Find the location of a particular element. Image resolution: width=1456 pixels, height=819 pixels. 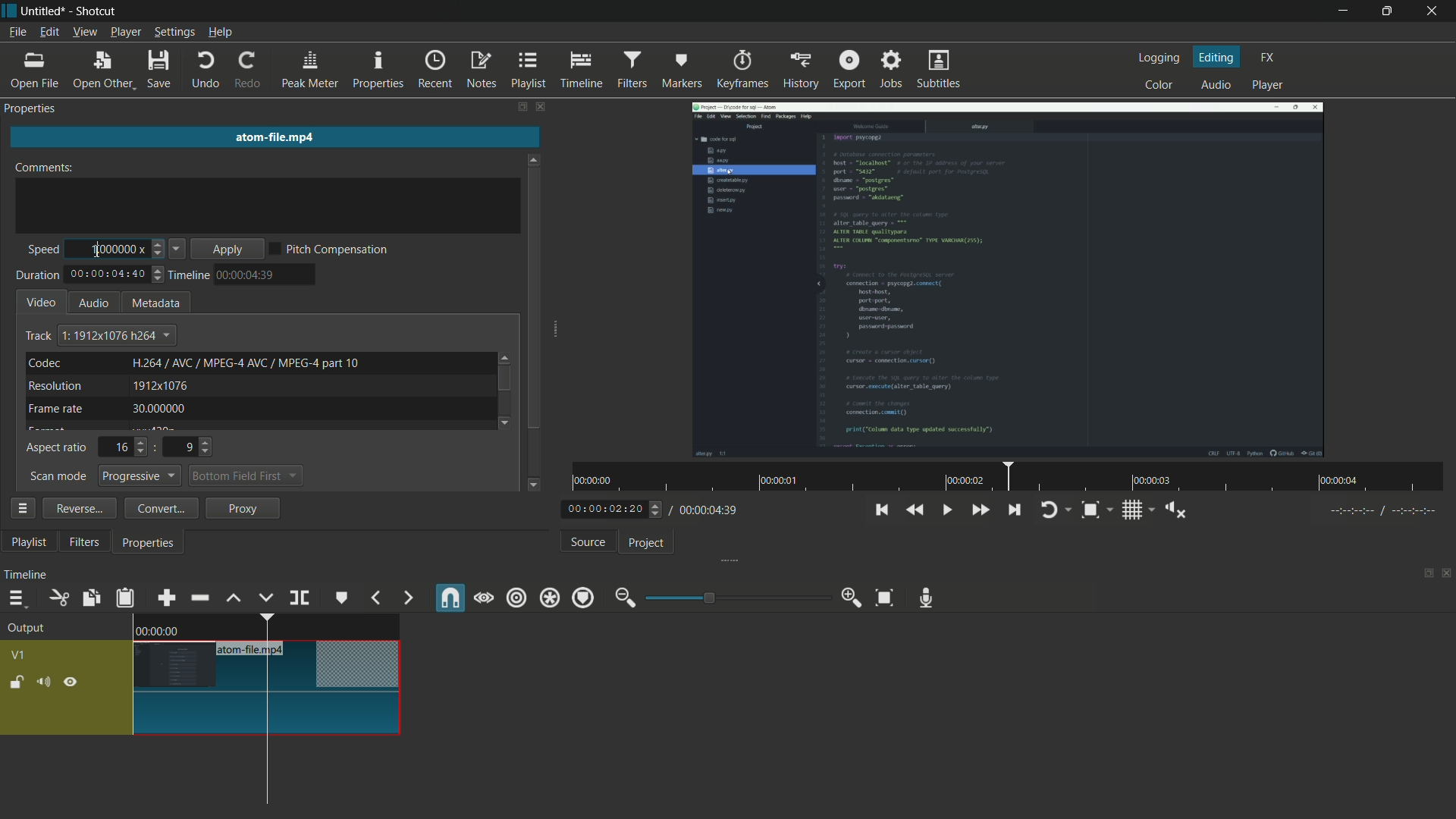

total time is located at coordinates (708, 510).